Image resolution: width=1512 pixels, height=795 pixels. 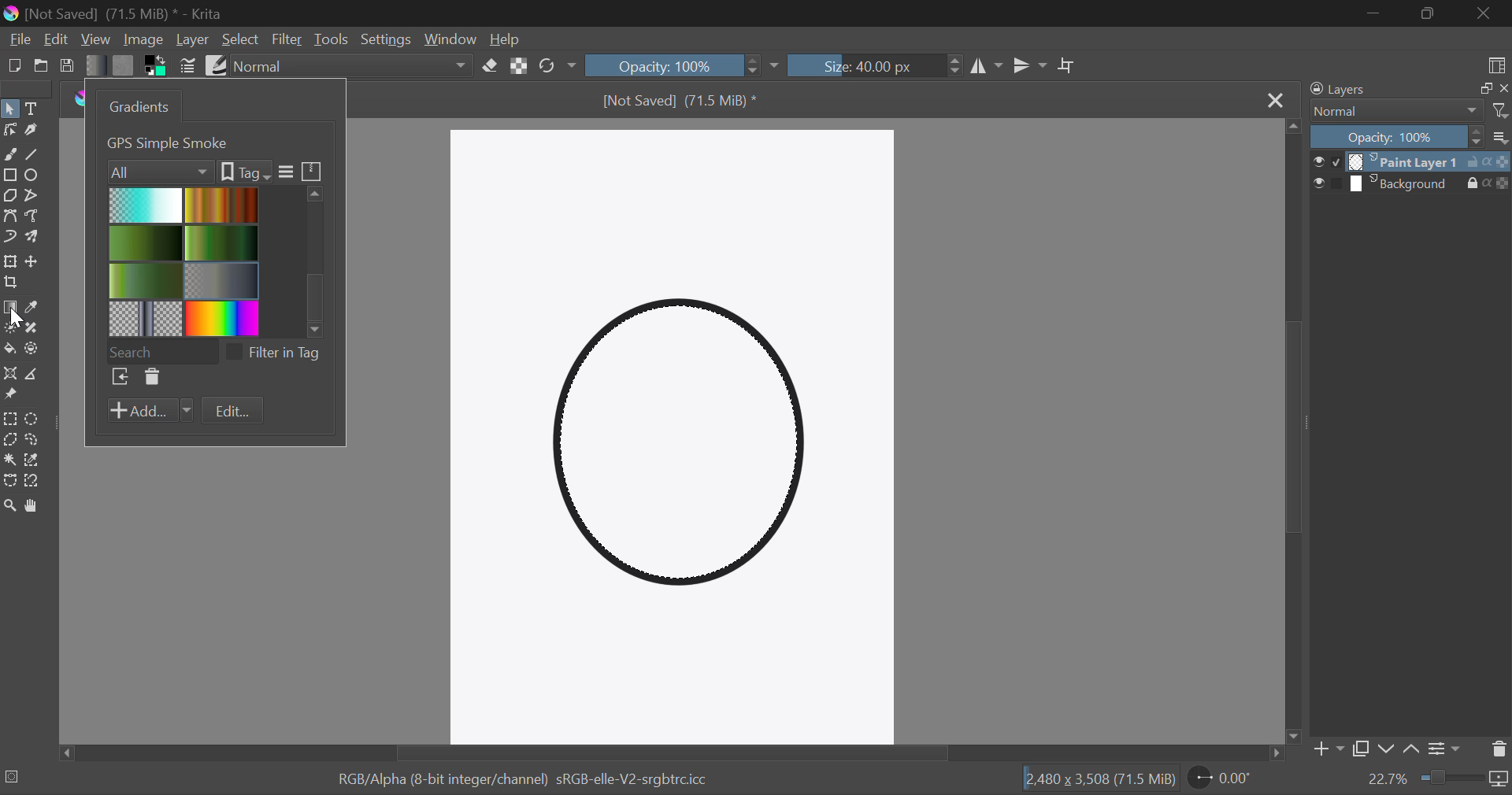 I want to click on Polyline, so click(x=36, y=198).